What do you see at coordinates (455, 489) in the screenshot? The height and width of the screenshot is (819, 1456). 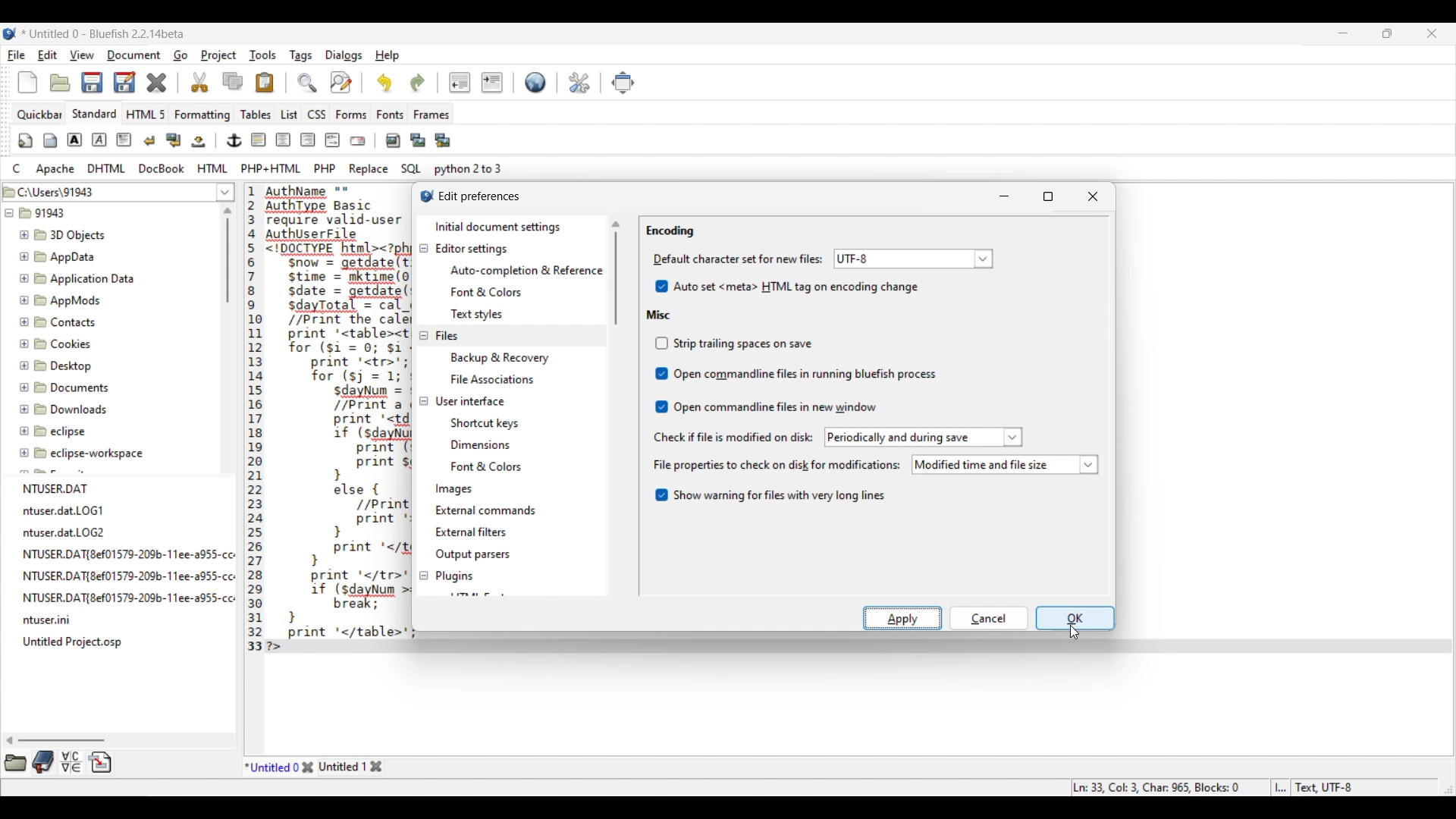 I see `Images` at bounding box center [455, 489].